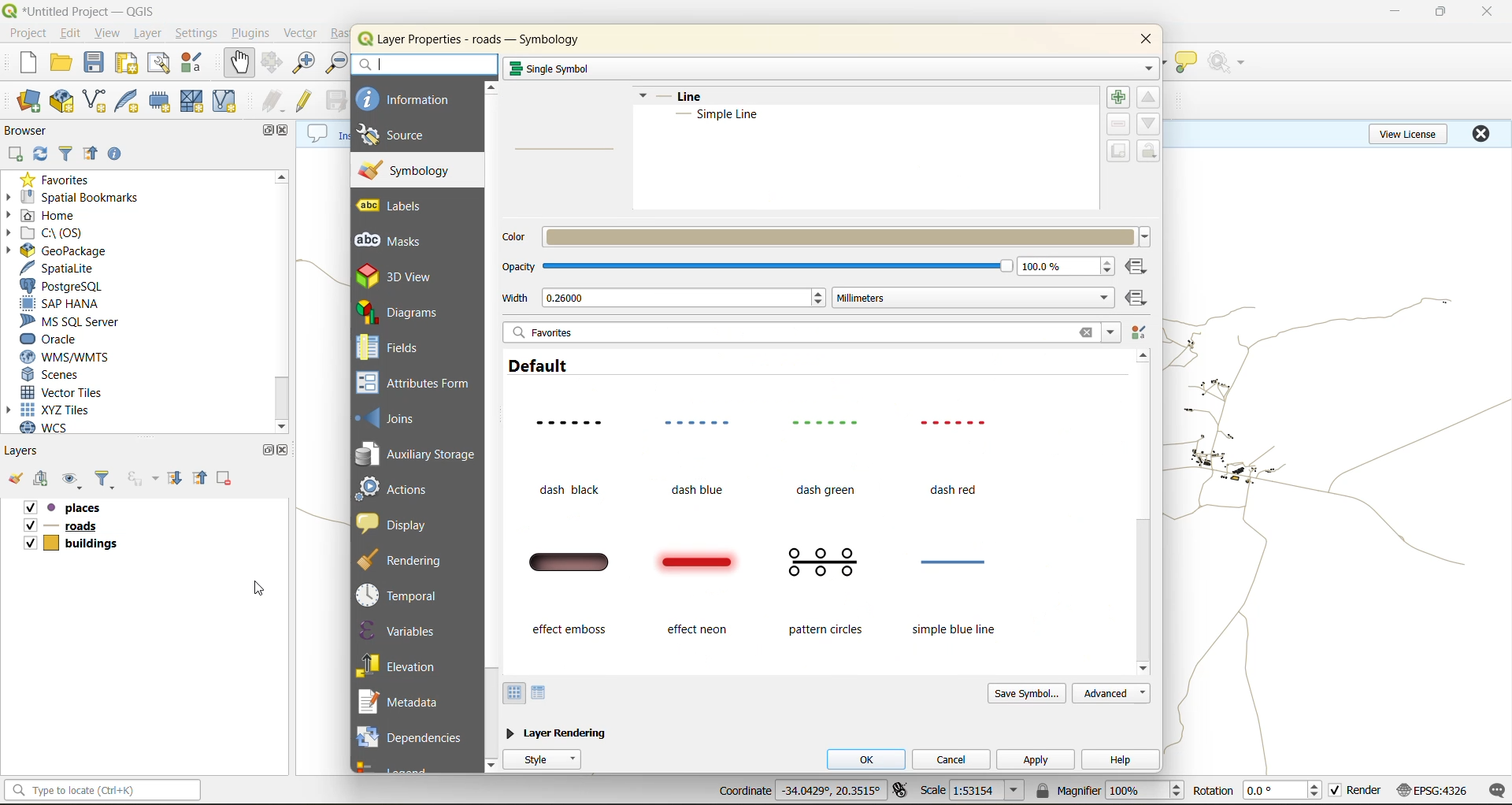 This screenshot has height=805, width=1512. I want to click on default, so click(541, 365).